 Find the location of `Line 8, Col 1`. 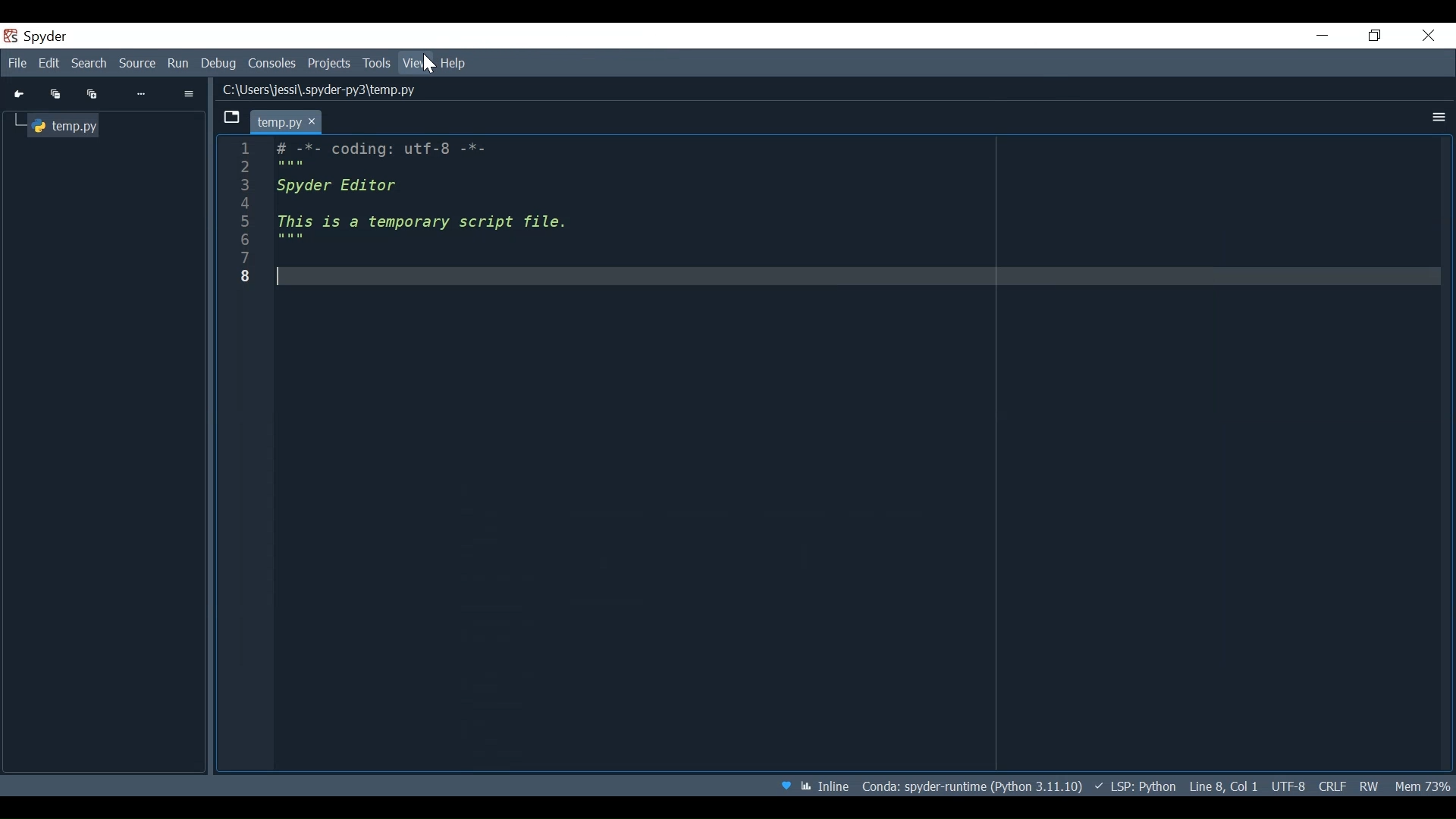

Line 8, Col 1 is located at coordinates (1223, 784).